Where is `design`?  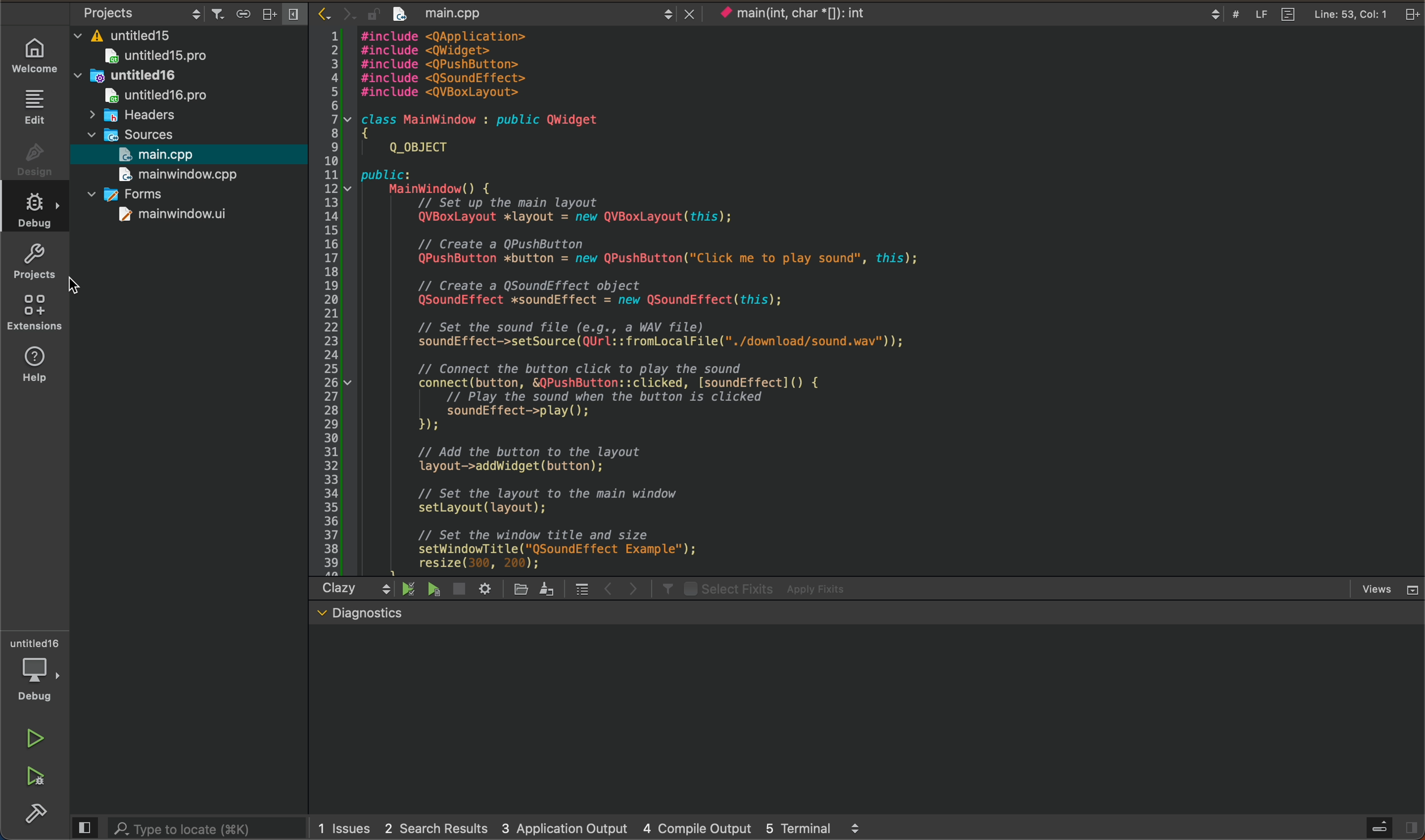
design is located at coordinates (32, 156).